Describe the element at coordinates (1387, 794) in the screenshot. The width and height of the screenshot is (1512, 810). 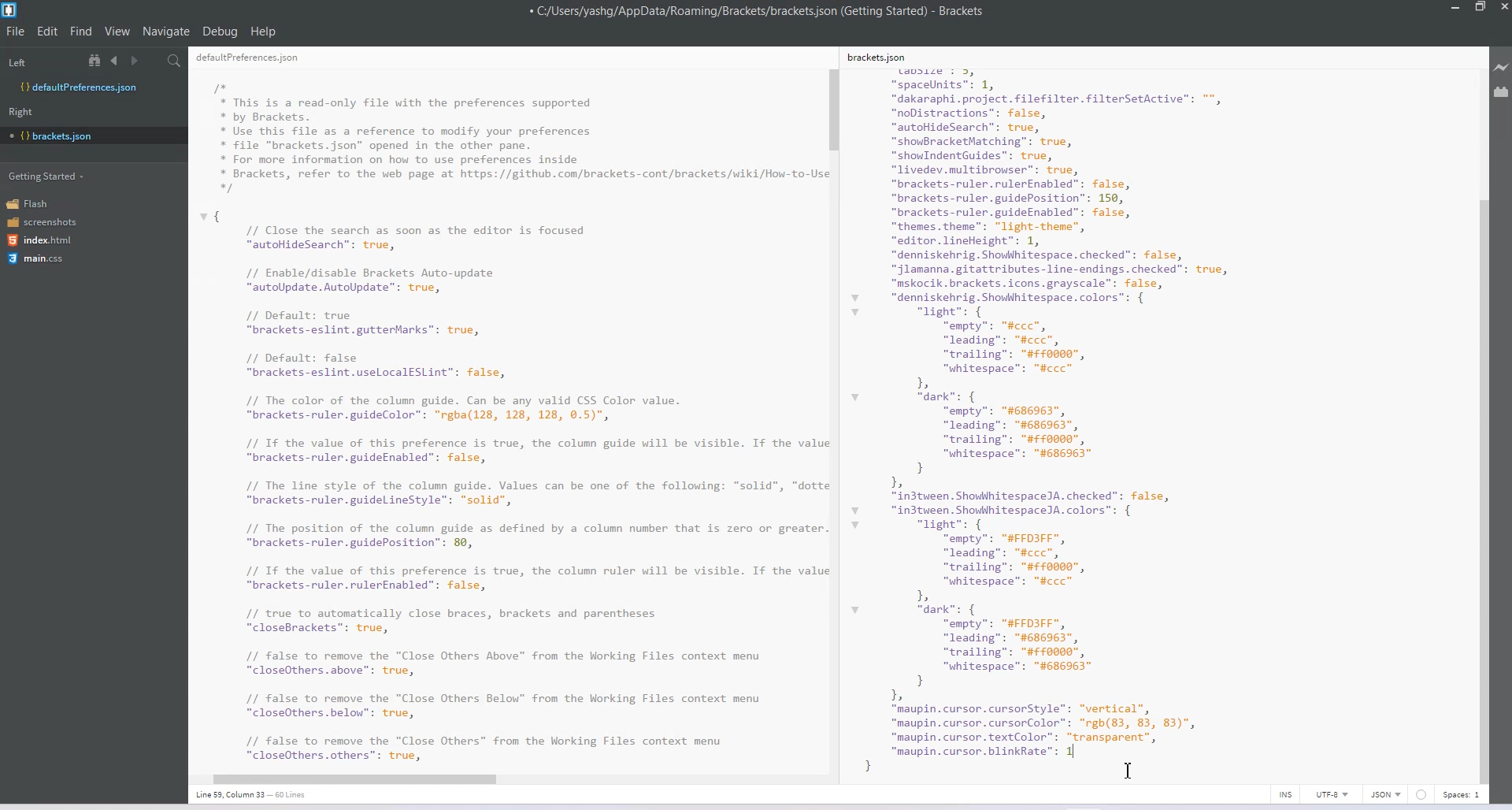
I see `JSON` at that location.